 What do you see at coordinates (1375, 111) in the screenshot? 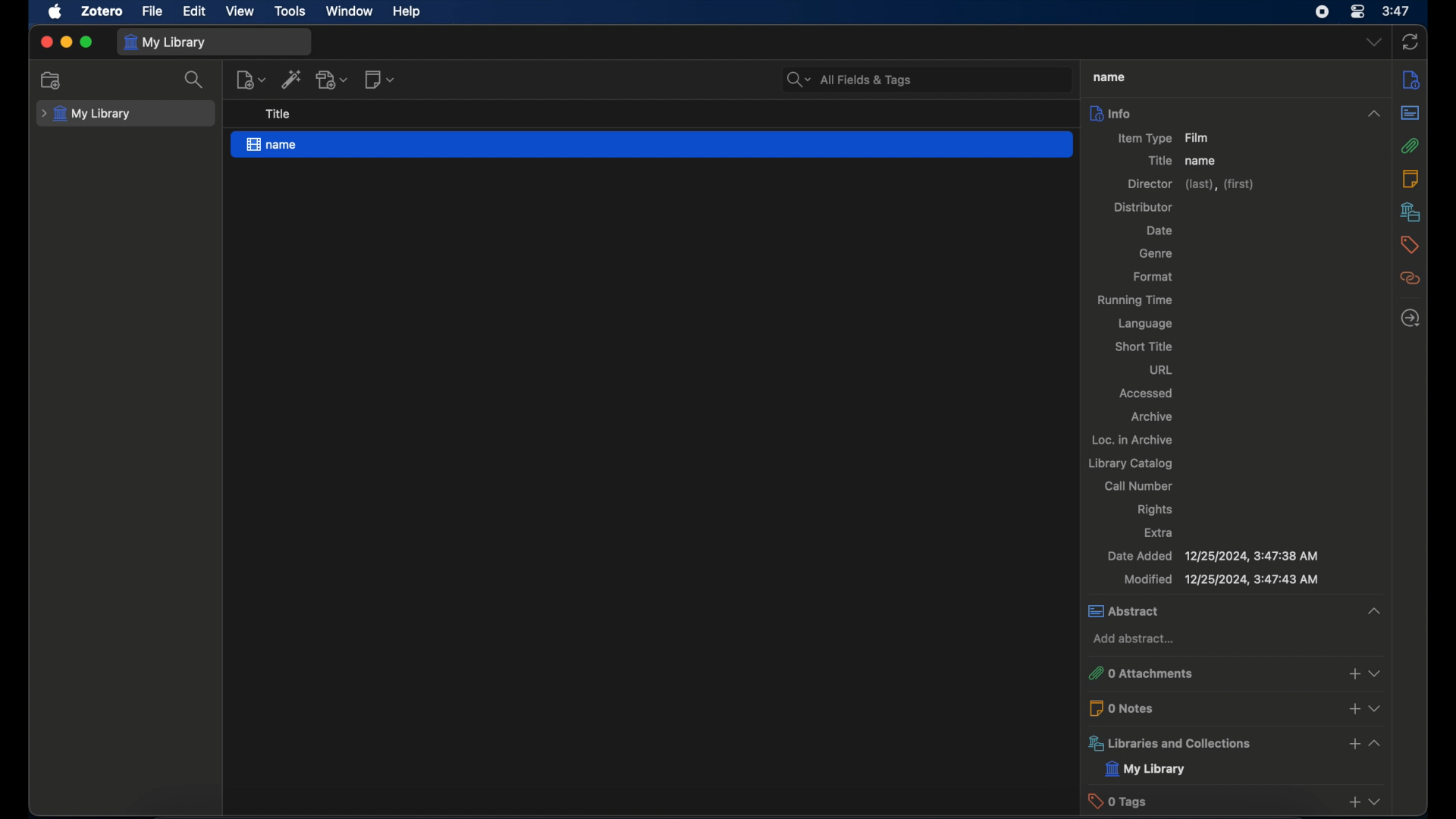
I see `collapse` at bounding box center [1375, 111].